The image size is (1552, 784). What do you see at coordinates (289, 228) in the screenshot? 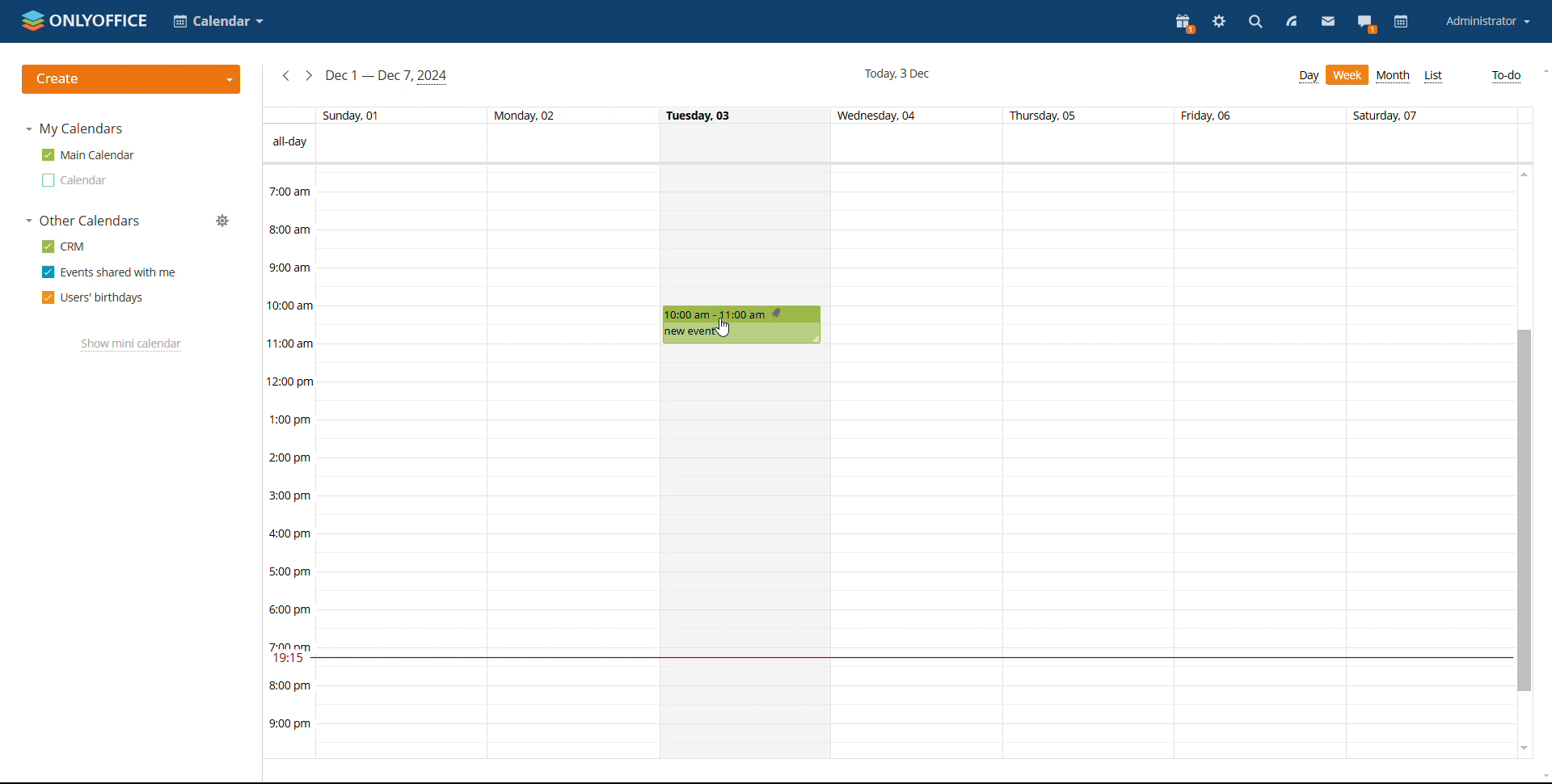
I see `8:00 am` at bounding box center [289, 228].